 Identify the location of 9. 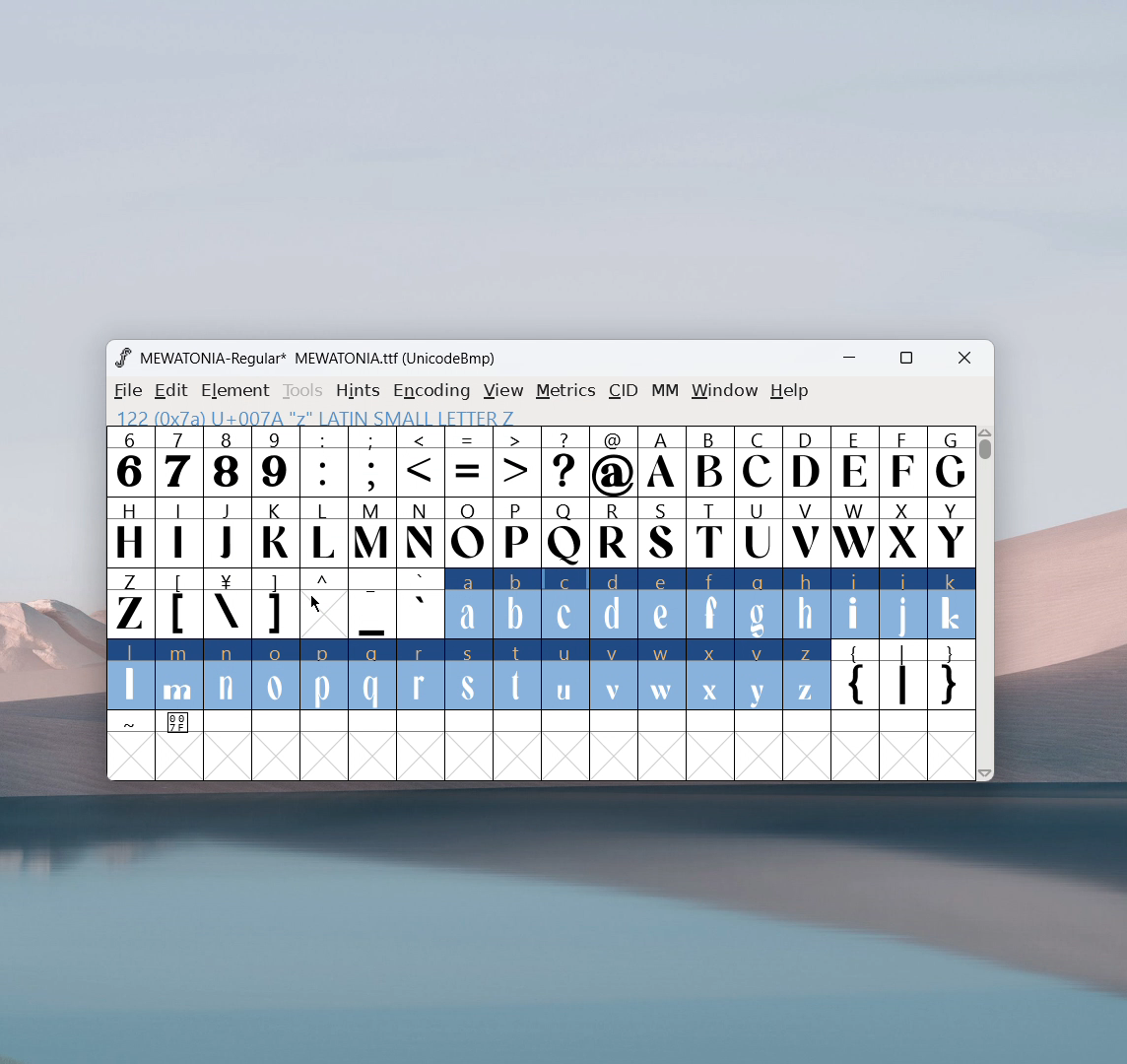
(275, 461).